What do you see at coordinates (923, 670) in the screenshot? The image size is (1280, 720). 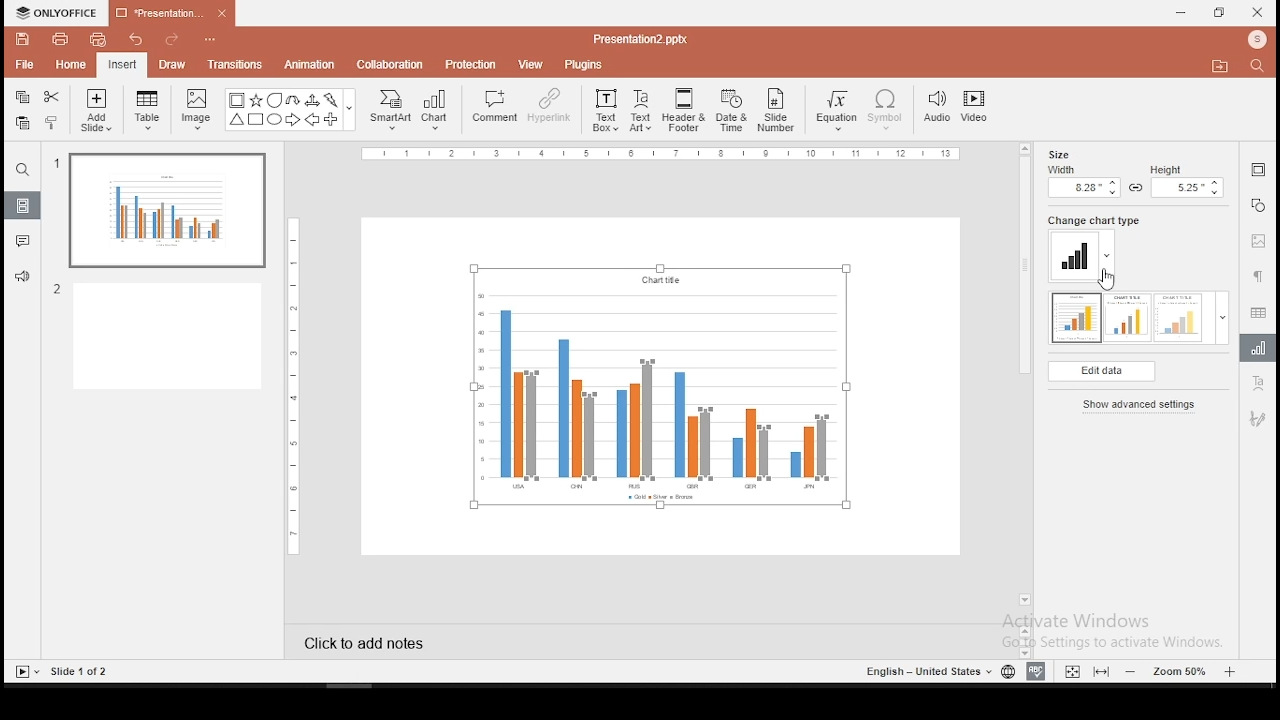 I see `English` at bounding box center [923, 670].